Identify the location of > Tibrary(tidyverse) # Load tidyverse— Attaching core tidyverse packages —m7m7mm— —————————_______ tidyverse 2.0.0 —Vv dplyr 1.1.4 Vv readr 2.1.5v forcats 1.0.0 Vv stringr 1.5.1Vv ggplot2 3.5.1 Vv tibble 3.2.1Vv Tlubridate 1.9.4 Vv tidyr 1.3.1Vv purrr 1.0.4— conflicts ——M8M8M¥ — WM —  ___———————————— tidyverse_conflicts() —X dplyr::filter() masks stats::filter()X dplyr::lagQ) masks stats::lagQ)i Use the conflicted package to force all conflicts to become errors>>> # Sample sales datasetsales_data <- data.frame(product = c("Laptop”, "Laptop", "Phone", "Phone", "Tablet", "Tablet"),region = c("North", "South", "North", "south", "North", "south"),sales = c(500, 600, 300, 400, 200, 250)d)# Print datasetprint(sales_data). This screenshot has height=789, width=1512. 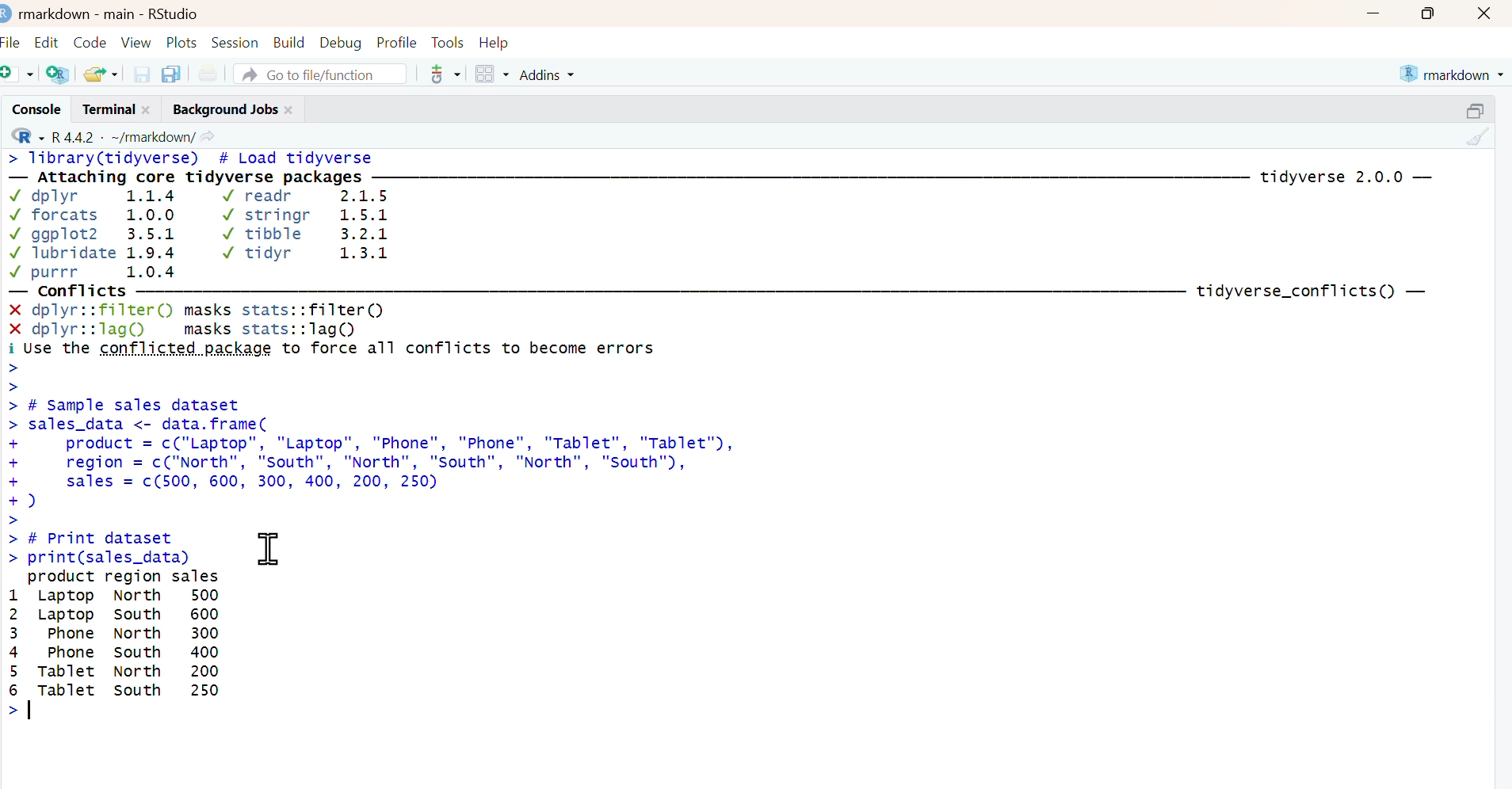
(732, 358).